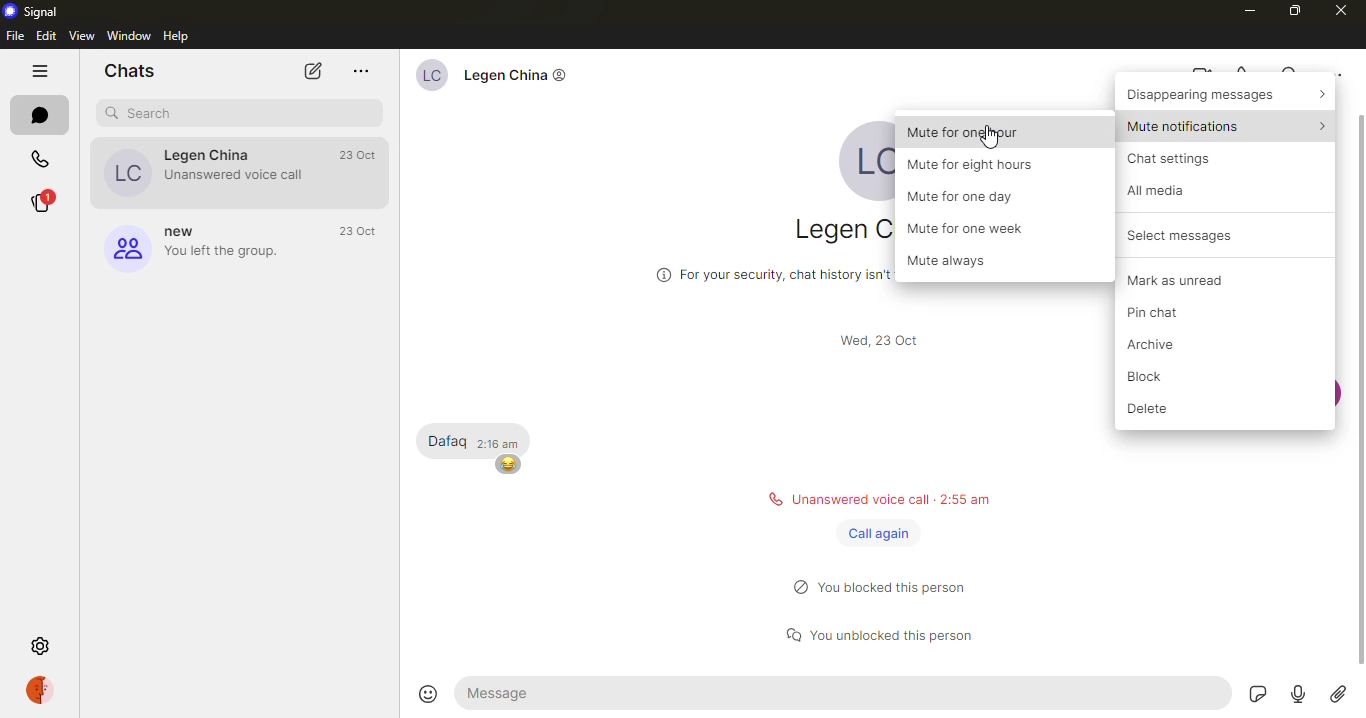 Image resolution: width=1366 pixels, height=718 pixels. Describe the element at coordinates (151, 112) in the screenshot. I see `search` at that location.